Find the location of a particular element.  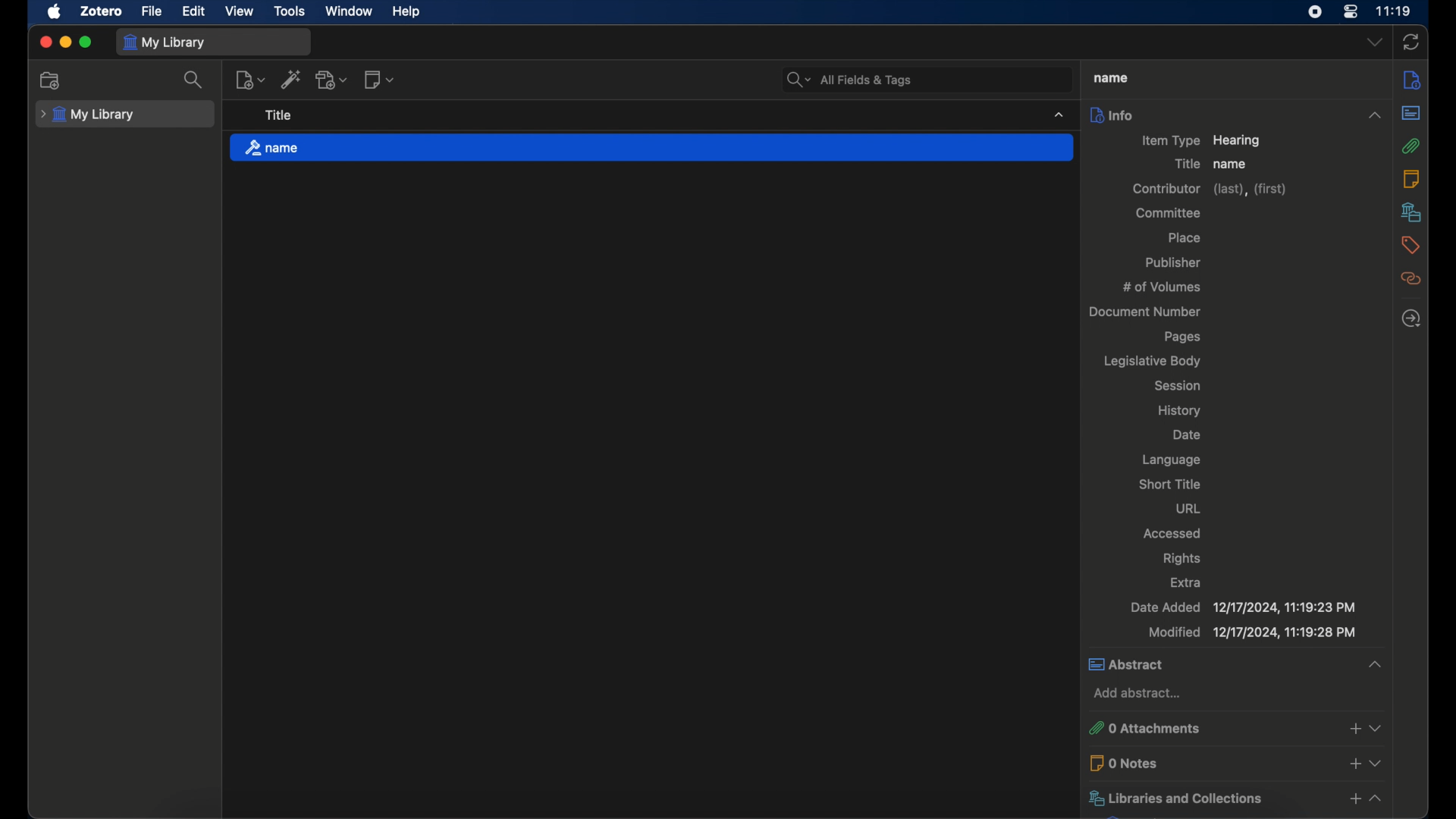

notes is located at coordinates (1410, 179).